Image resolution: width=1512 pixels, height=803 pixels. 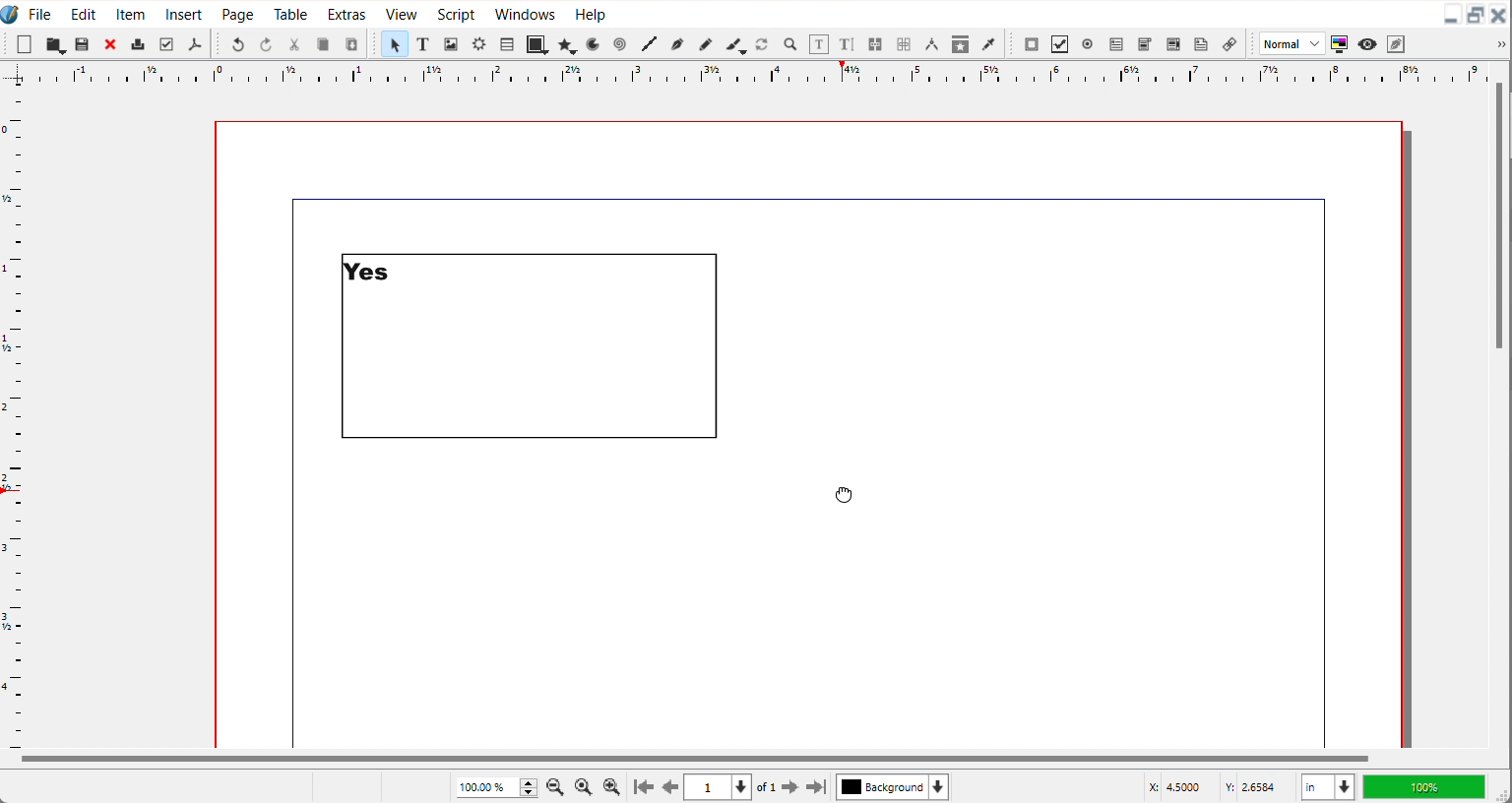 What do you see at coordinates (194, 44) in the screenshot?
I see `Save as PDF` at bounding box center [194, 44].